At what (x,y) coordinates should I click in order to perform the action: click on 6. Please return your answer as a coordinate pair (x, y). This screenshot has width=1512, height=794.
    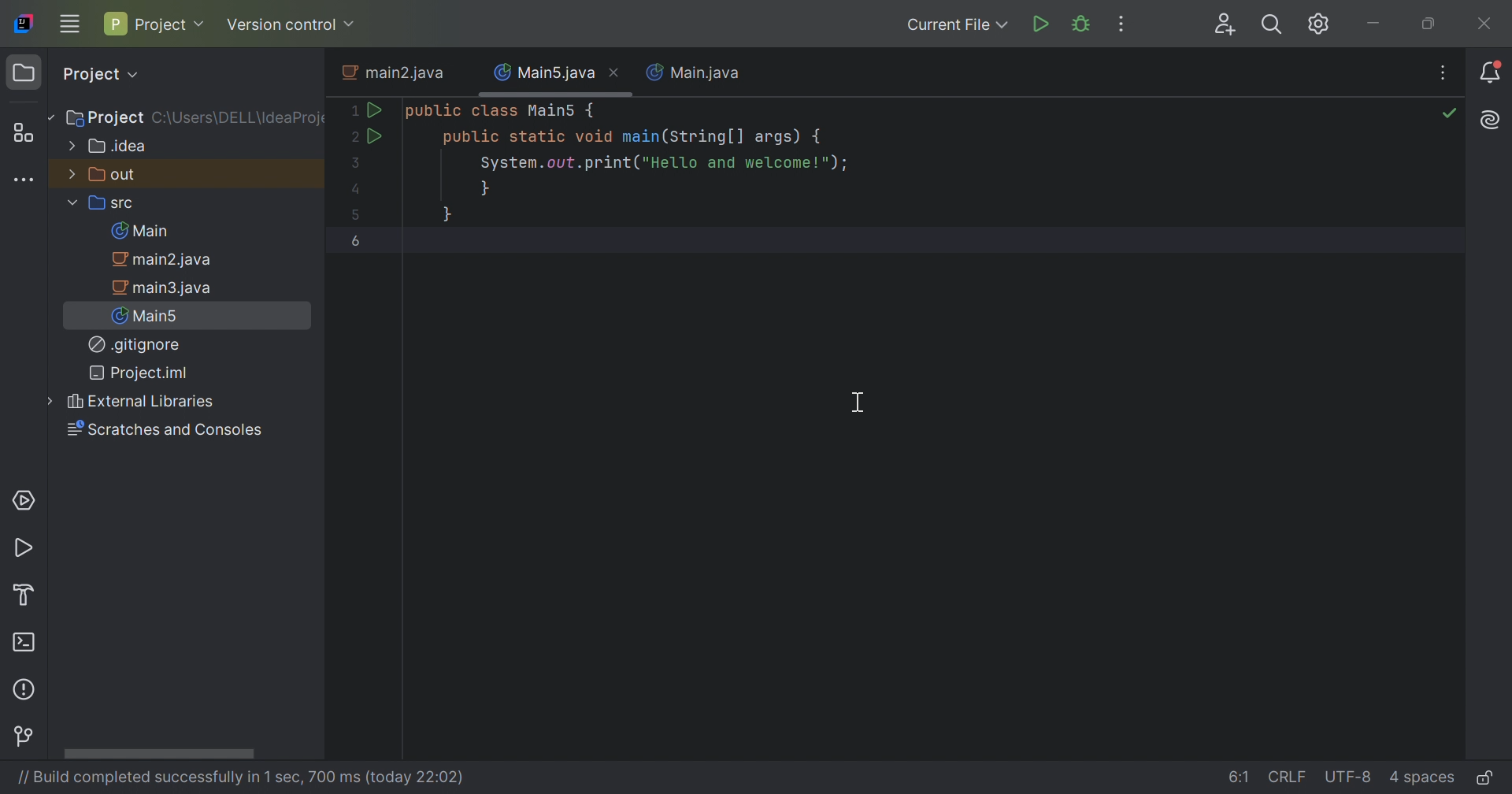
    Looking at the image, I should click on (357, 240).